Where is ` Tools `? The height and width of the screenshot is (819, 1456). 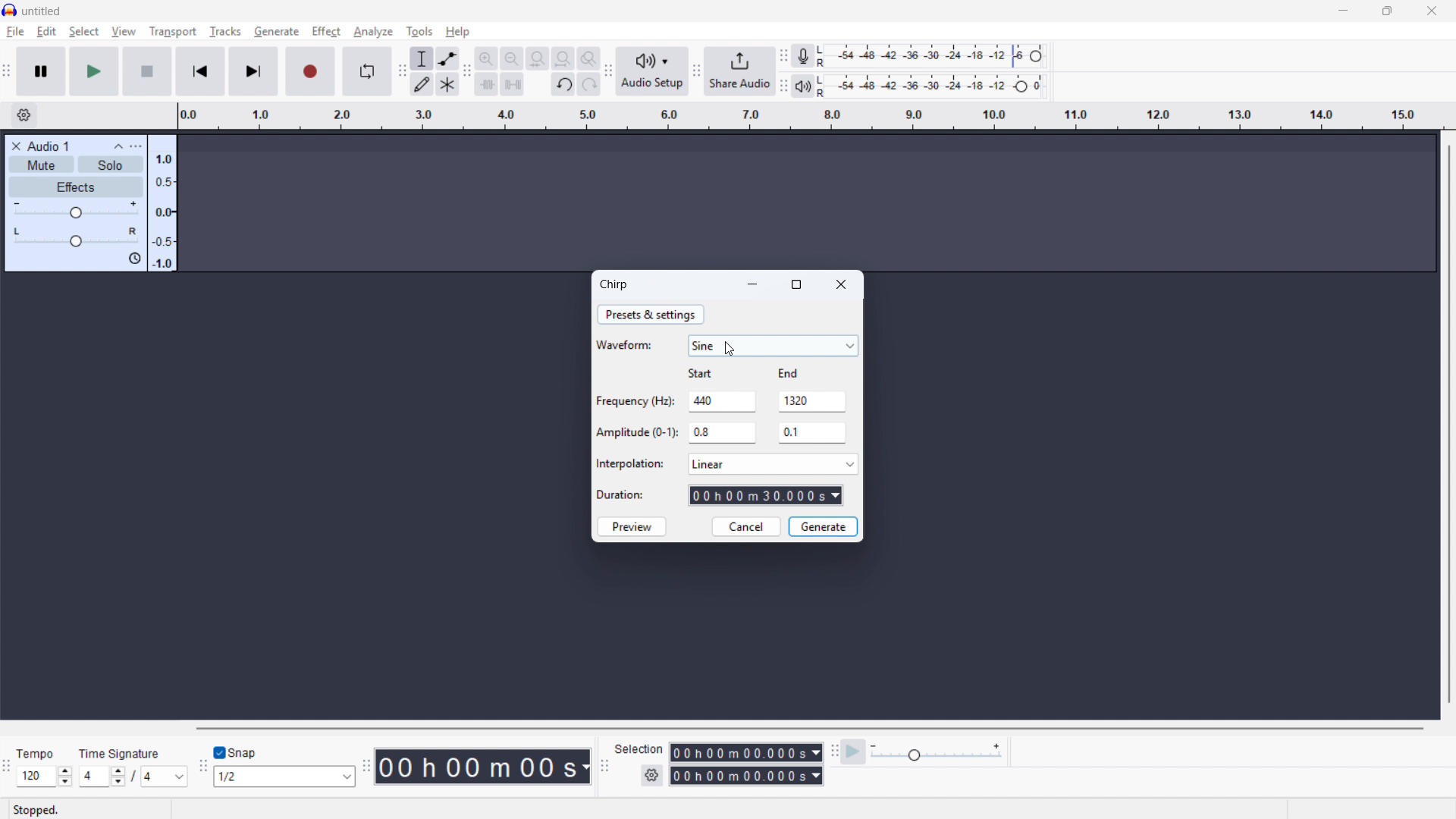  Tools  is located at coordinates (420, 31).